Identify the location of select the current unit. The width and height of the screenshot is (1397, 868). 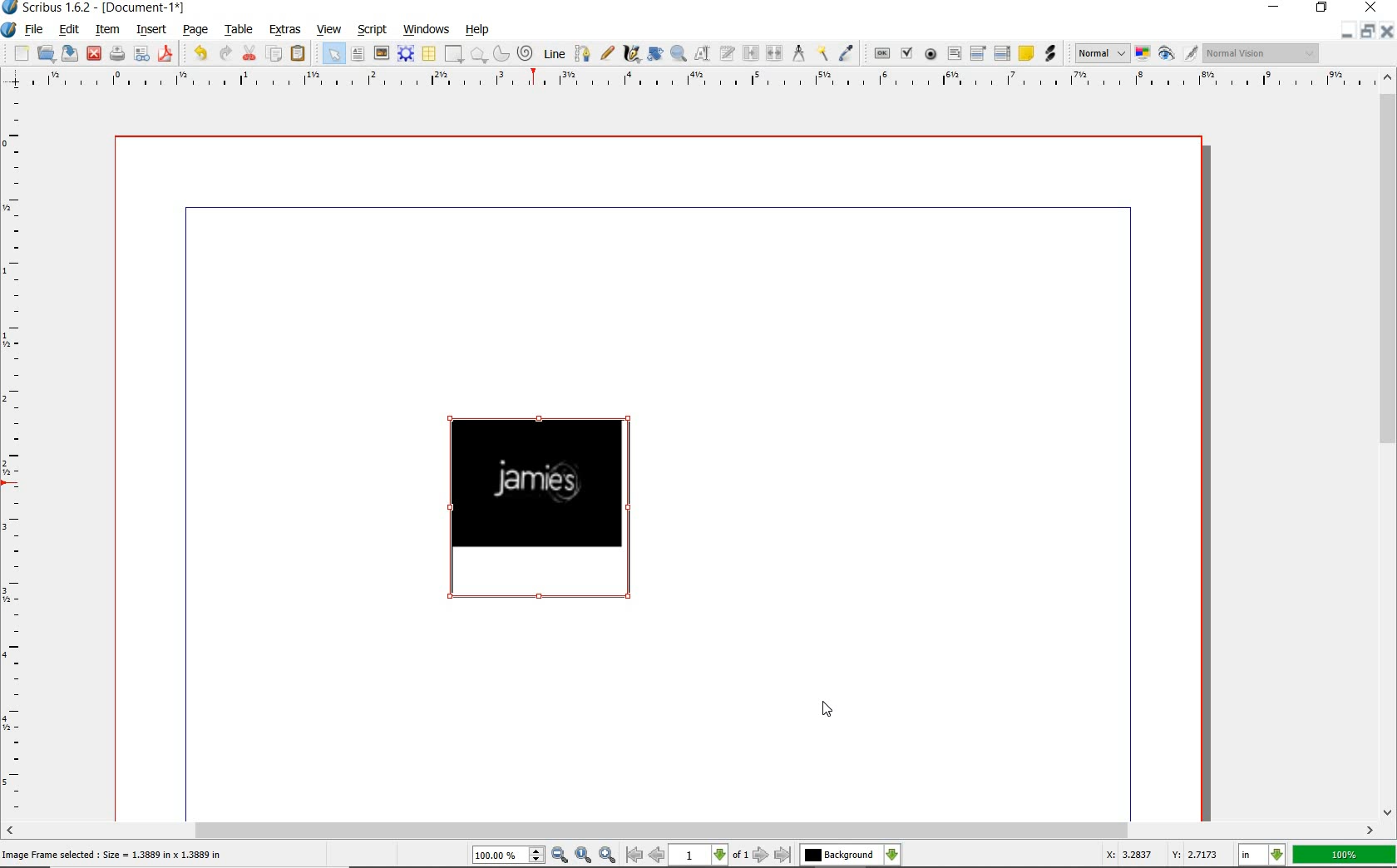
(1263, 856).